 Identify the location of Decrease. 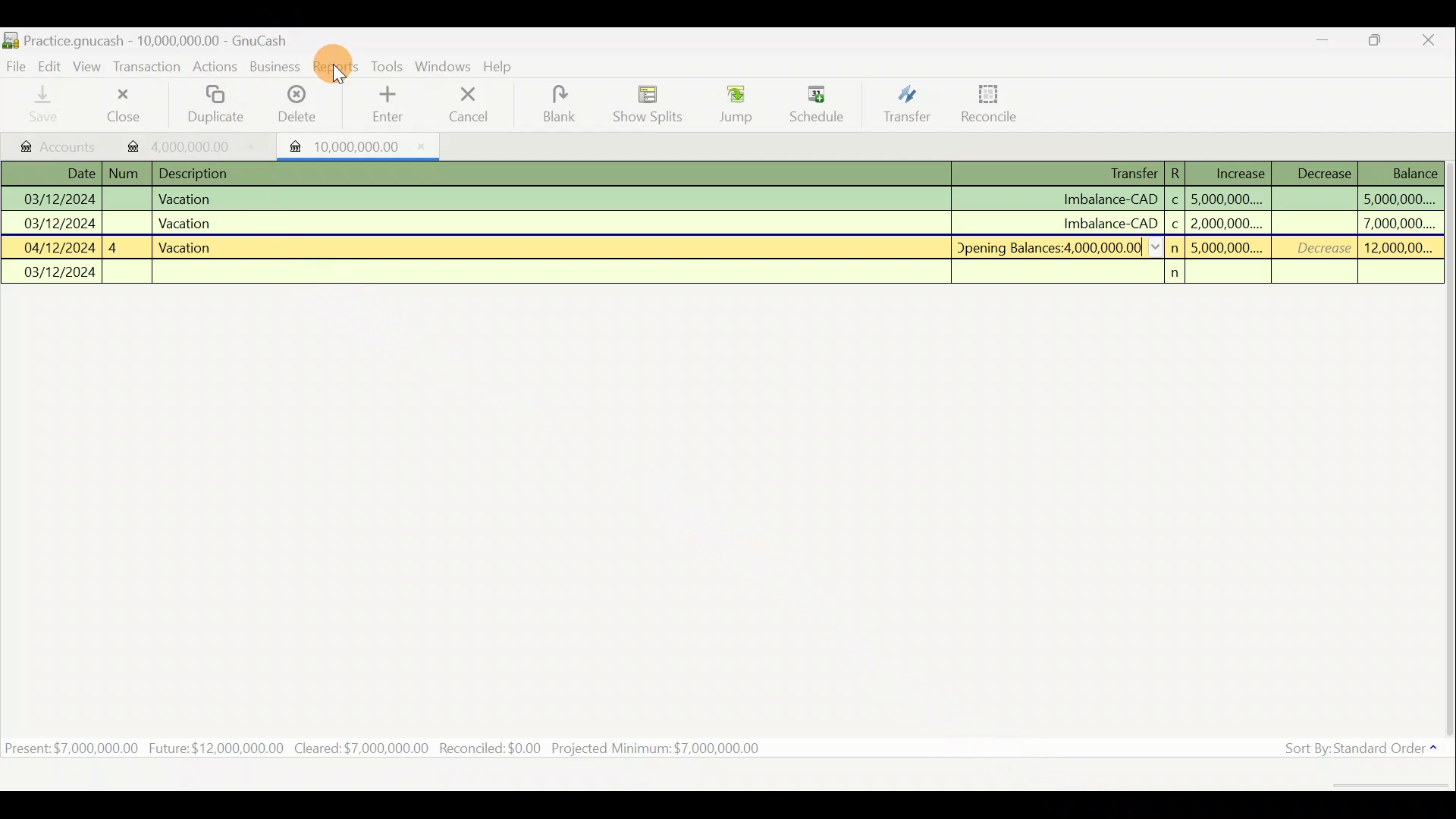
(1323, 172).